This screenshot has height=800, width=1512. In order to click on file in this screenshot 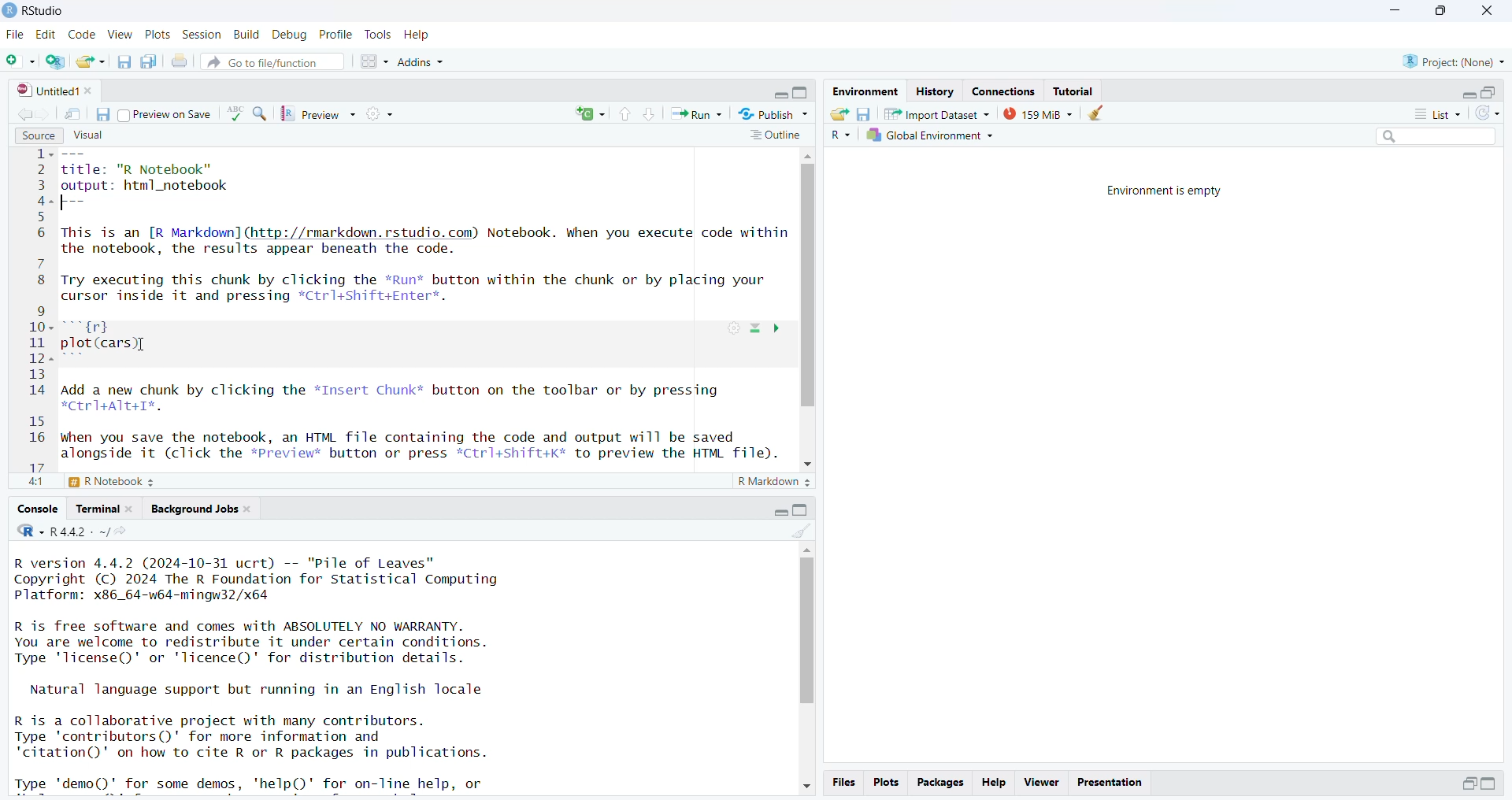, I will do `click(17, 35)`.